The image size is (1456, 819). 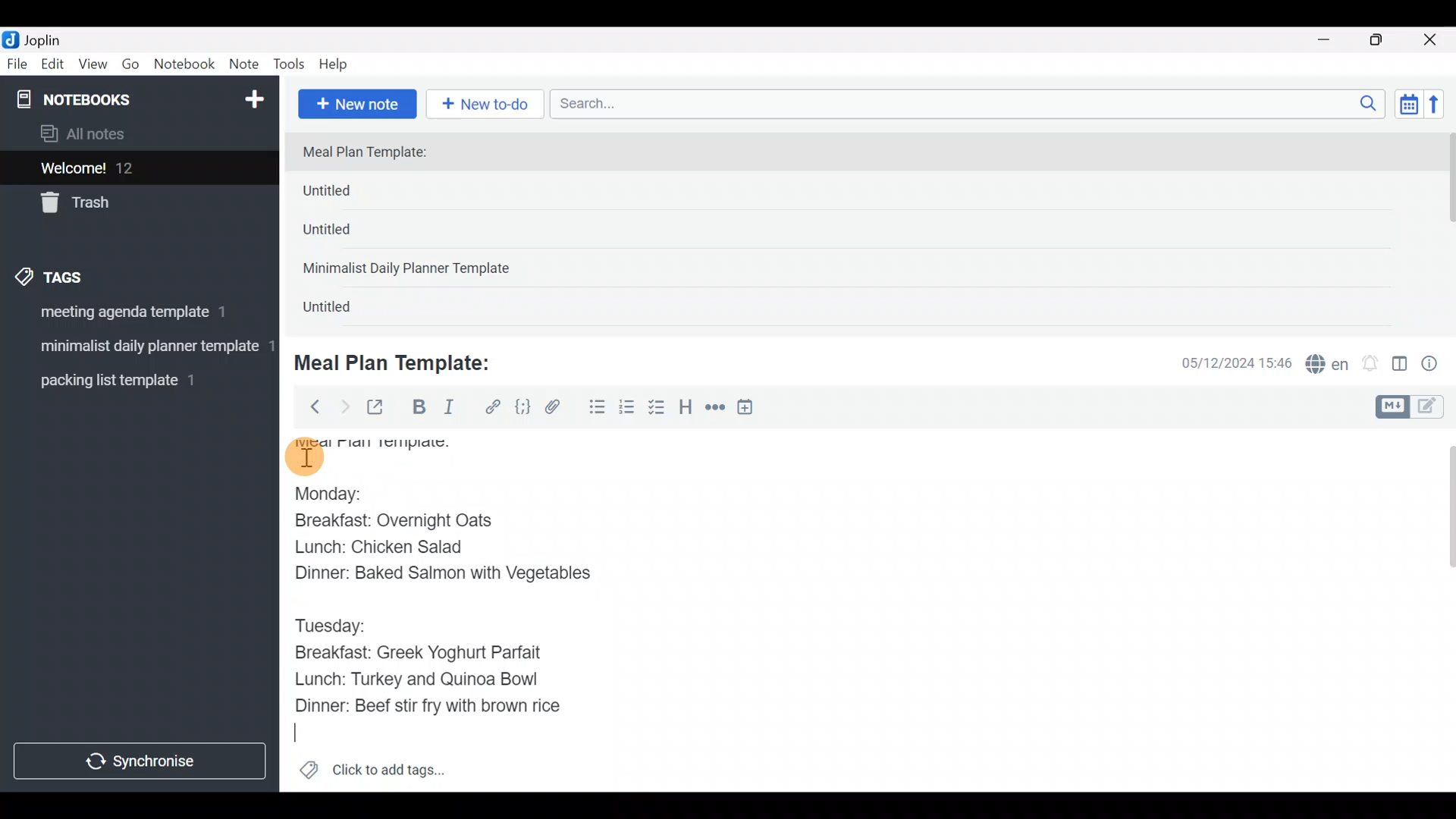 What do you see at coordinates (85, 275) in the screenshot?
I see `Tags` at bounding box center [85, 275].